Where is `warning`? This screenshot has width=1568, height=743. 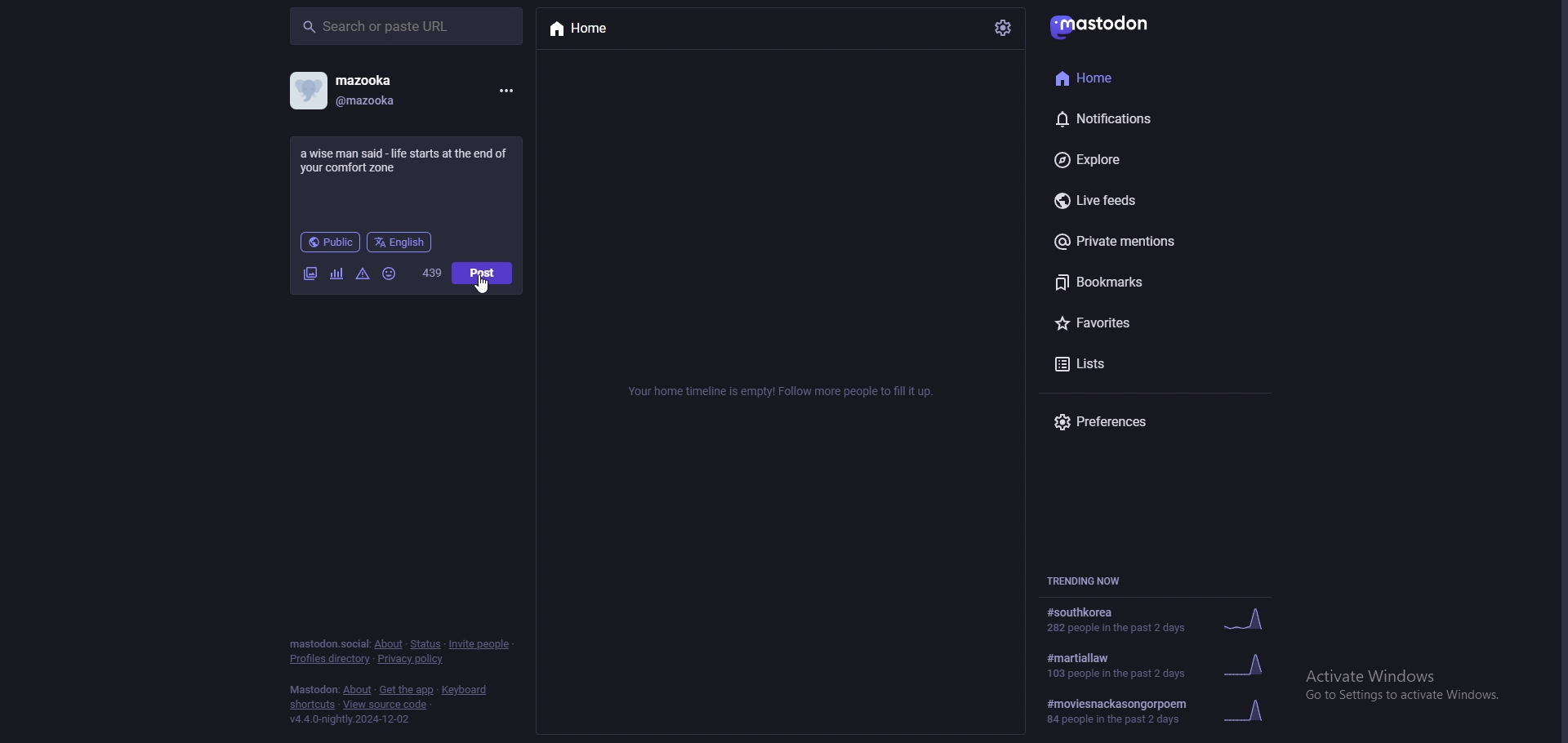 warning is located at coordinates (363, 275).